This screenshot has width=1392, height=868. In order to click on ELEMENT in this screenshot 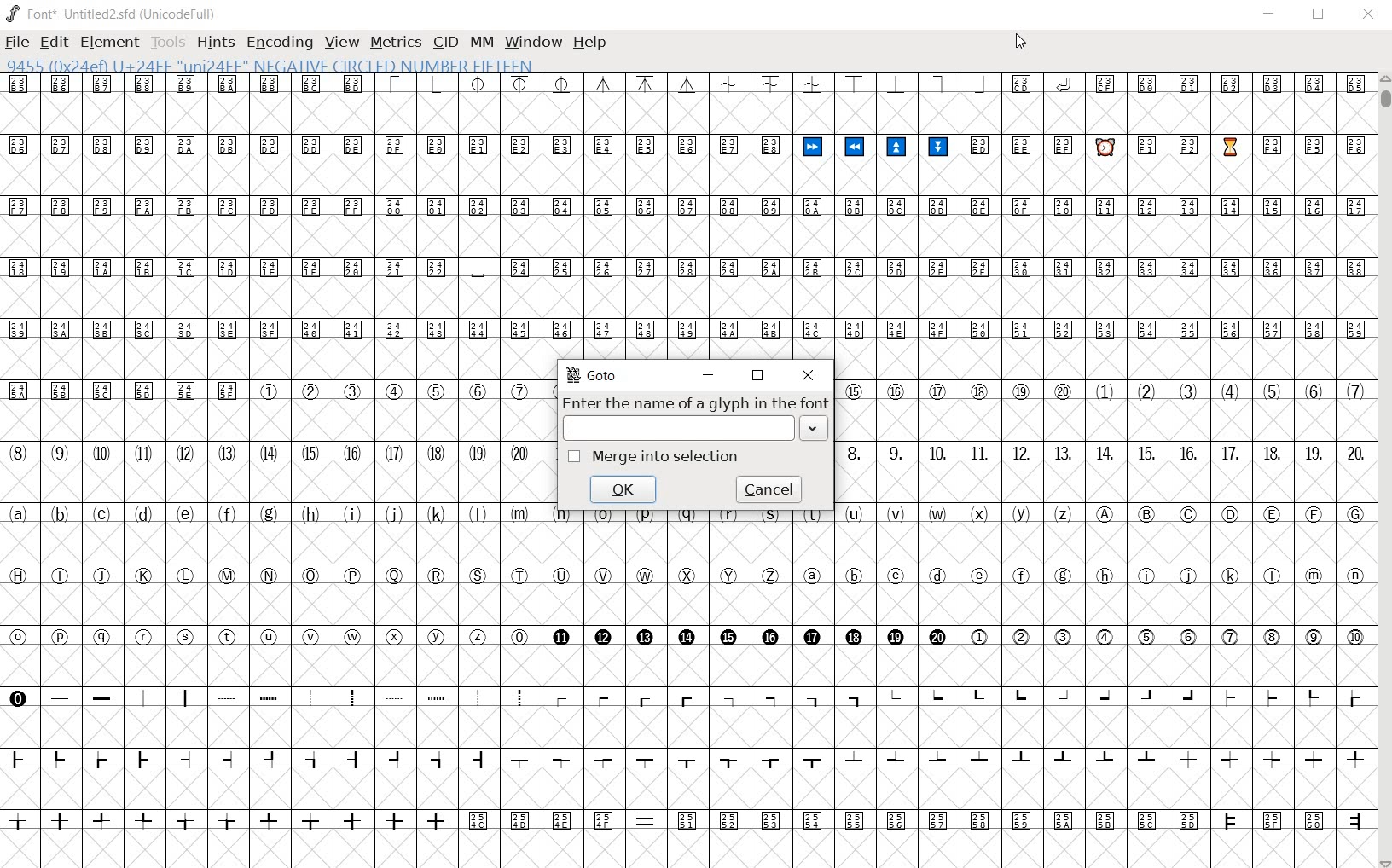, I will do `click(112, 42)`.